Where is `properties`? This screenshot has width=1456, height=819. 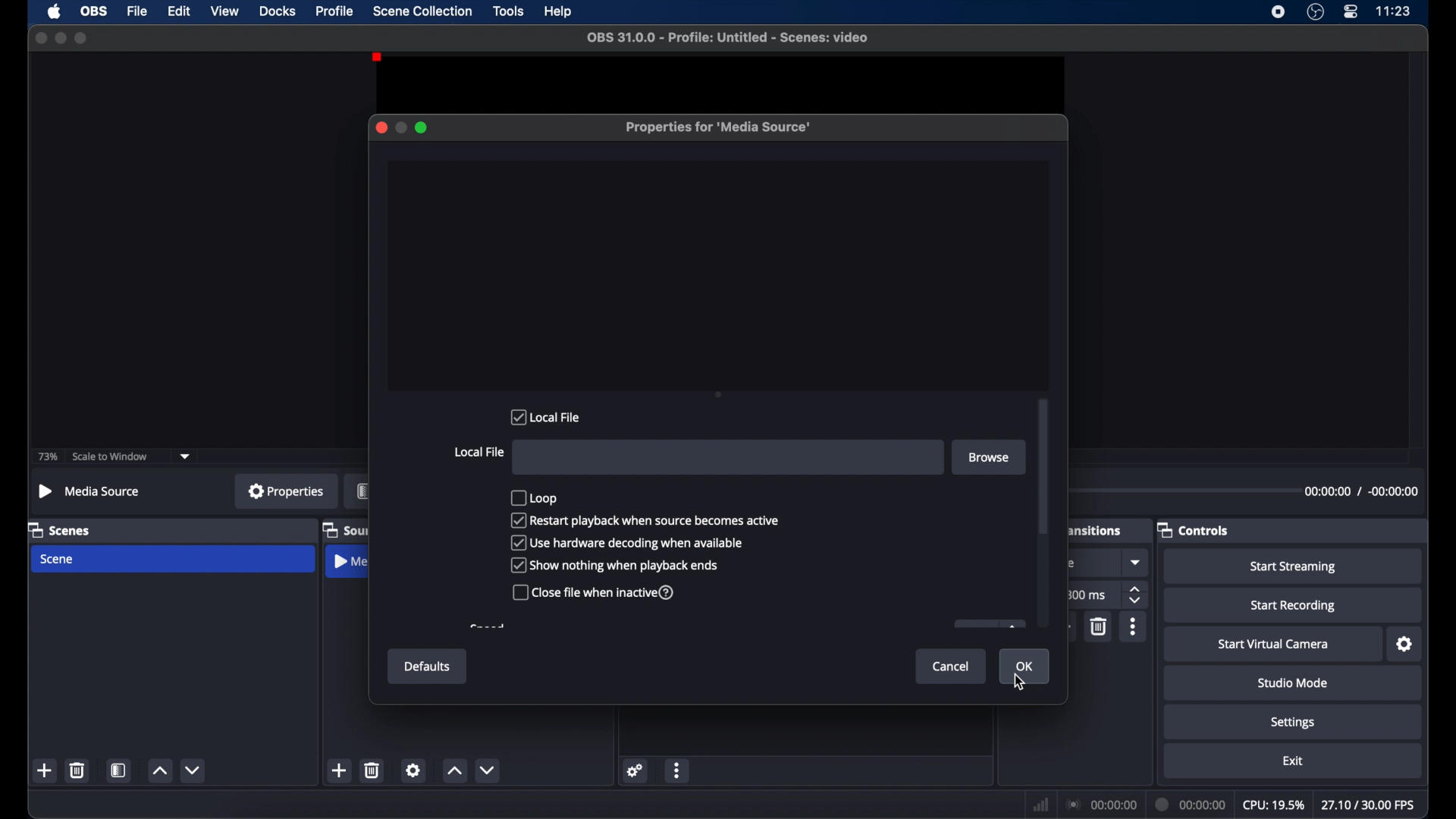
properties is located at coordinates (287, 490).